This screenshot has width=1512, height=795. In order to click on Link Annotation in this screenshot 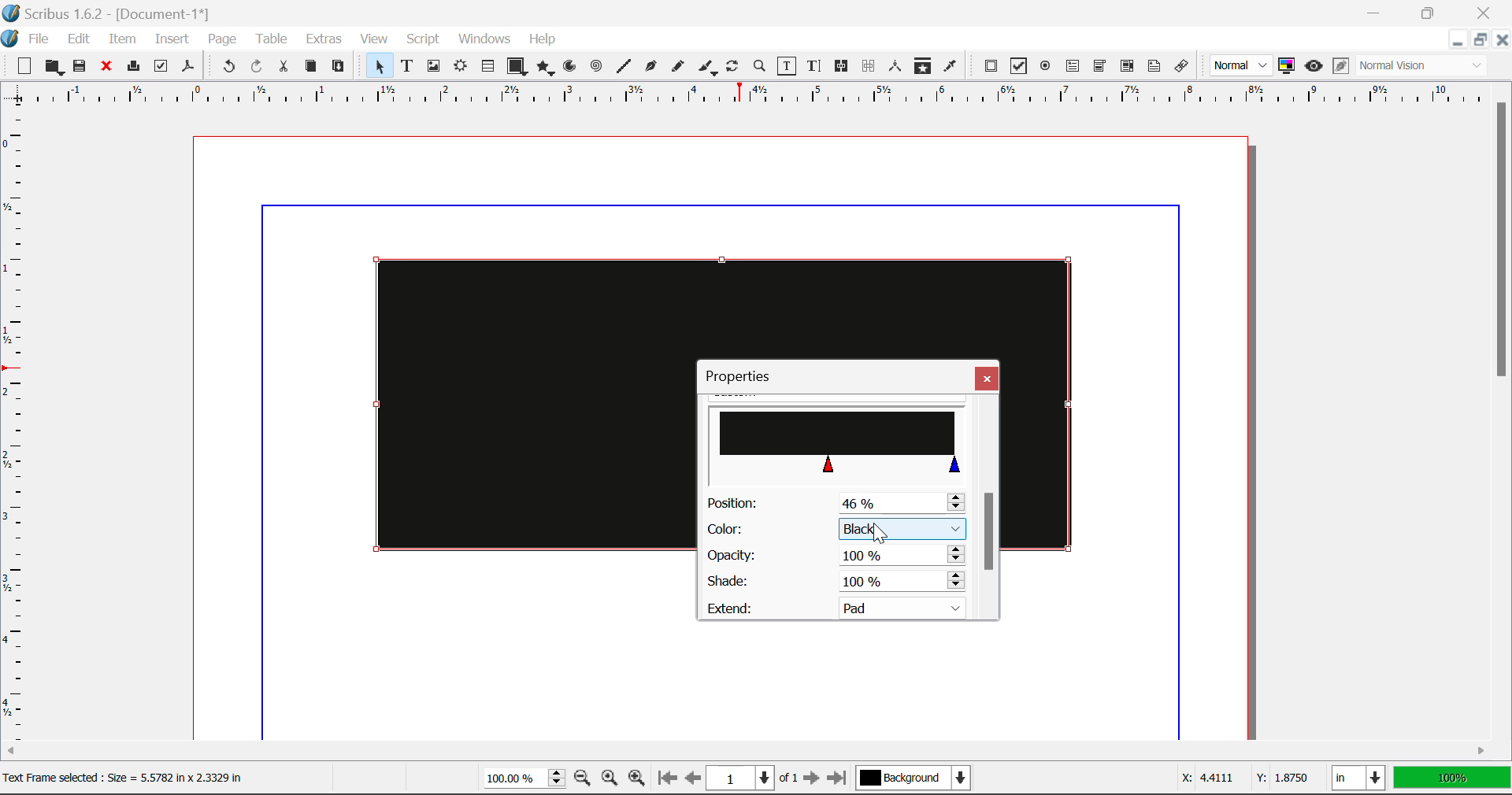, I will do `click(1185, 67)`.